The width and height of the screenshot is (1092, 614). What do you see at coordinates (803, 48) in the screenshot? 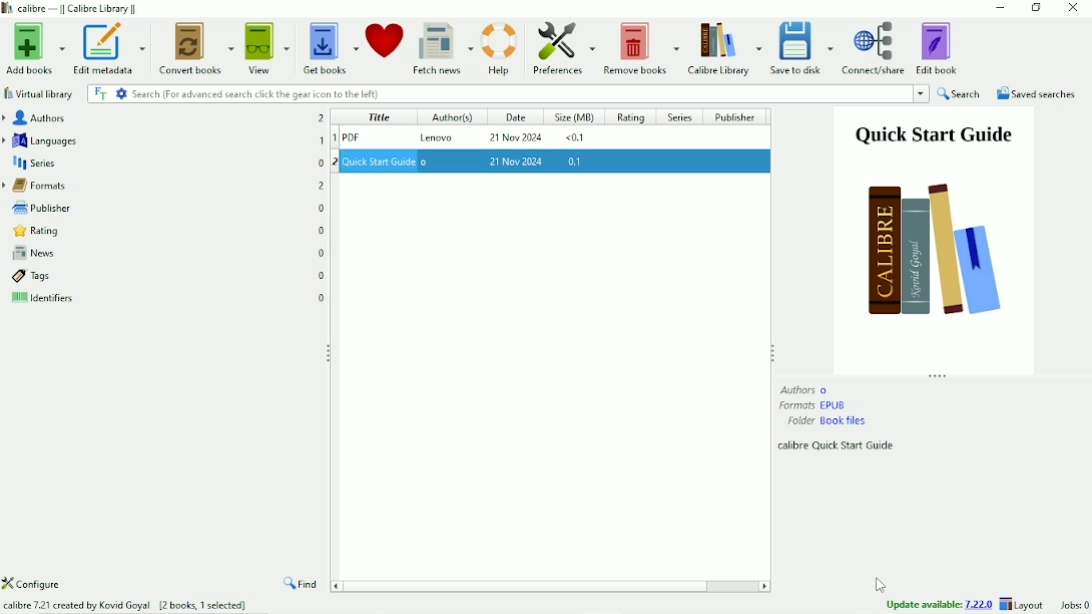
I see `Save to disk` at bounding box center [803, 48].